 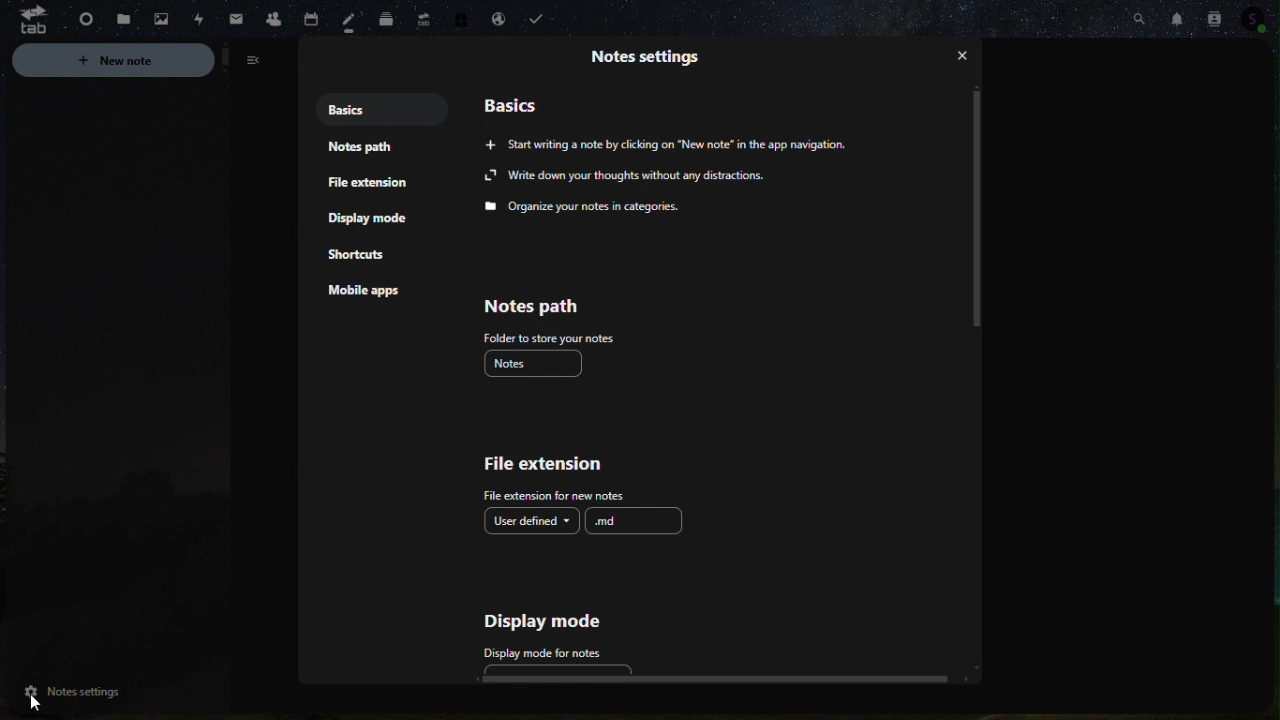 What do you see at coordinates (968, 53) in the screenshot?
I see `close` at bounding box center [968, 53].